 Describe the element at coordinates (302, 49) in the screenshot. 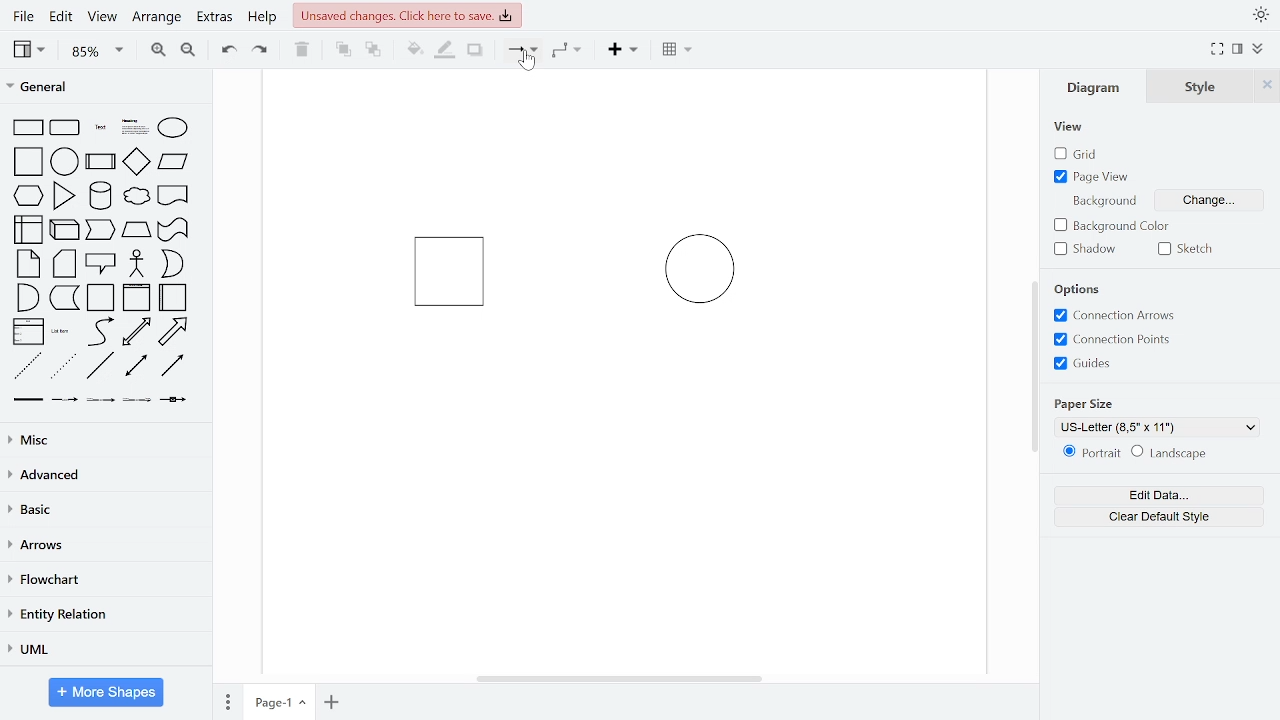

I see `delete` at that location.